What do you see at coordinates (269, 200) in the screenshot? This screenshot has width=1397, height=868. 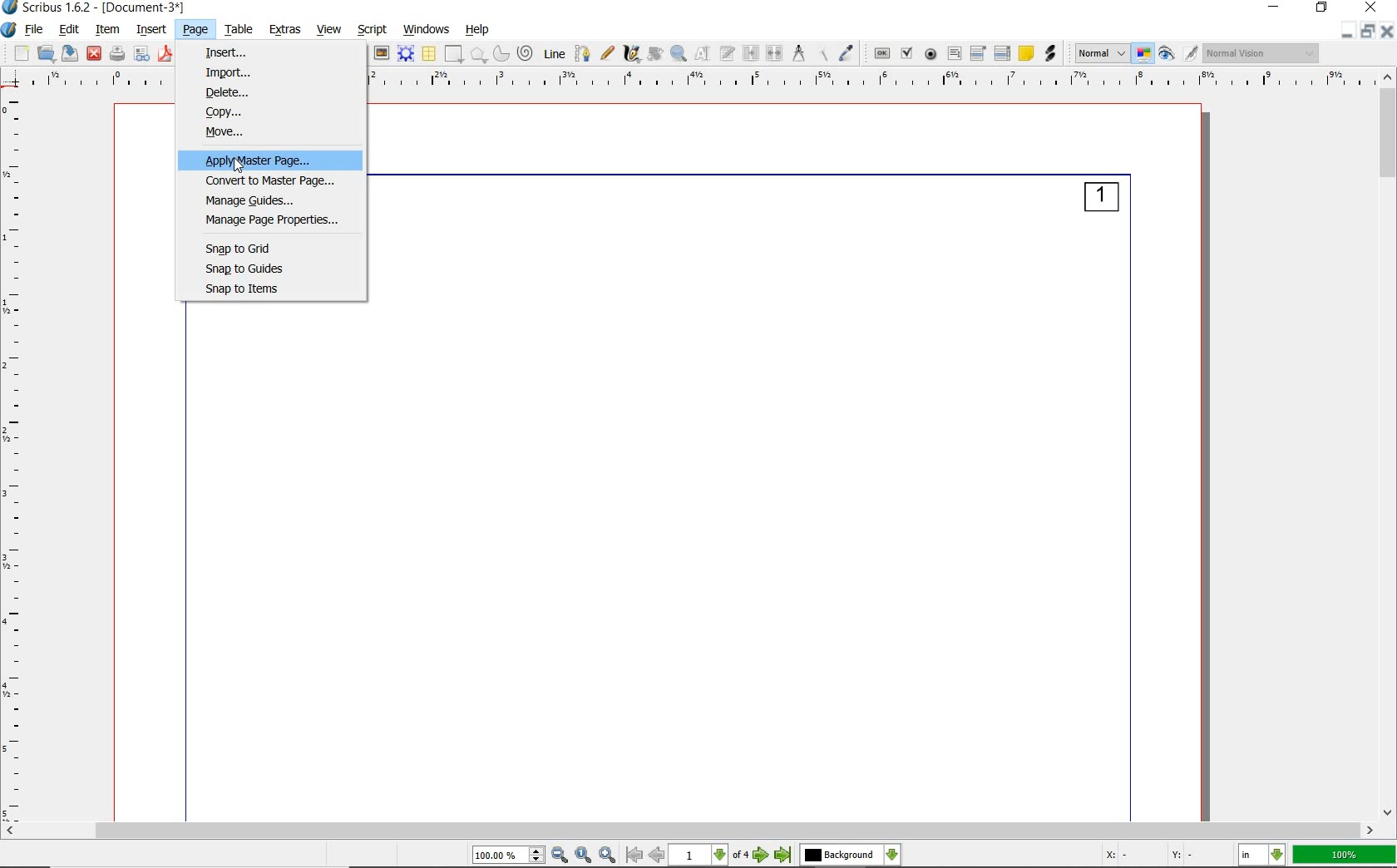 I see `Manage guides` at bounding box center [269, 200].